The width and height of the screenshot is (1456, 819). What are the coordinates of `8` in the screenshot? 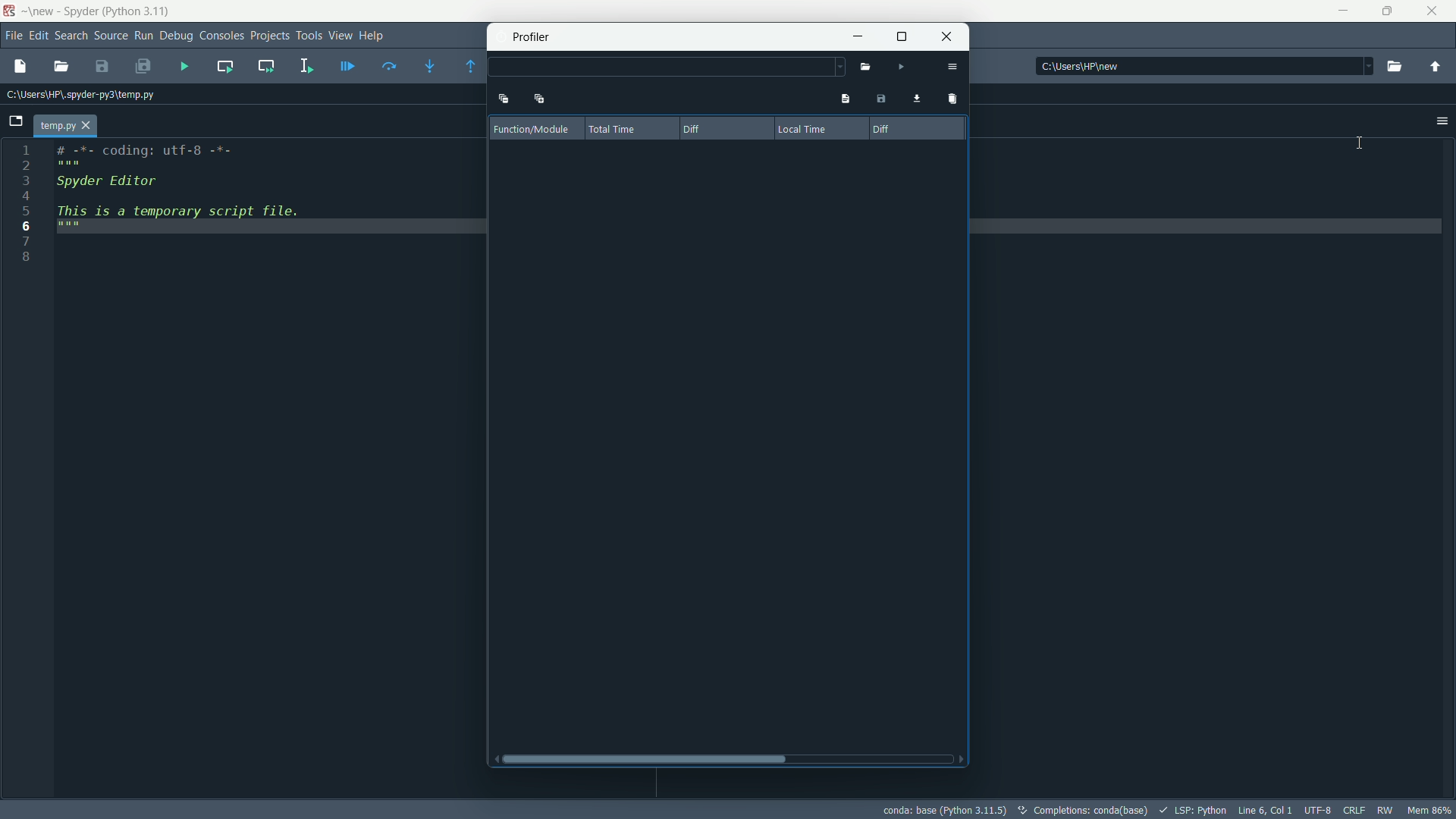 It's located at (28, 256).